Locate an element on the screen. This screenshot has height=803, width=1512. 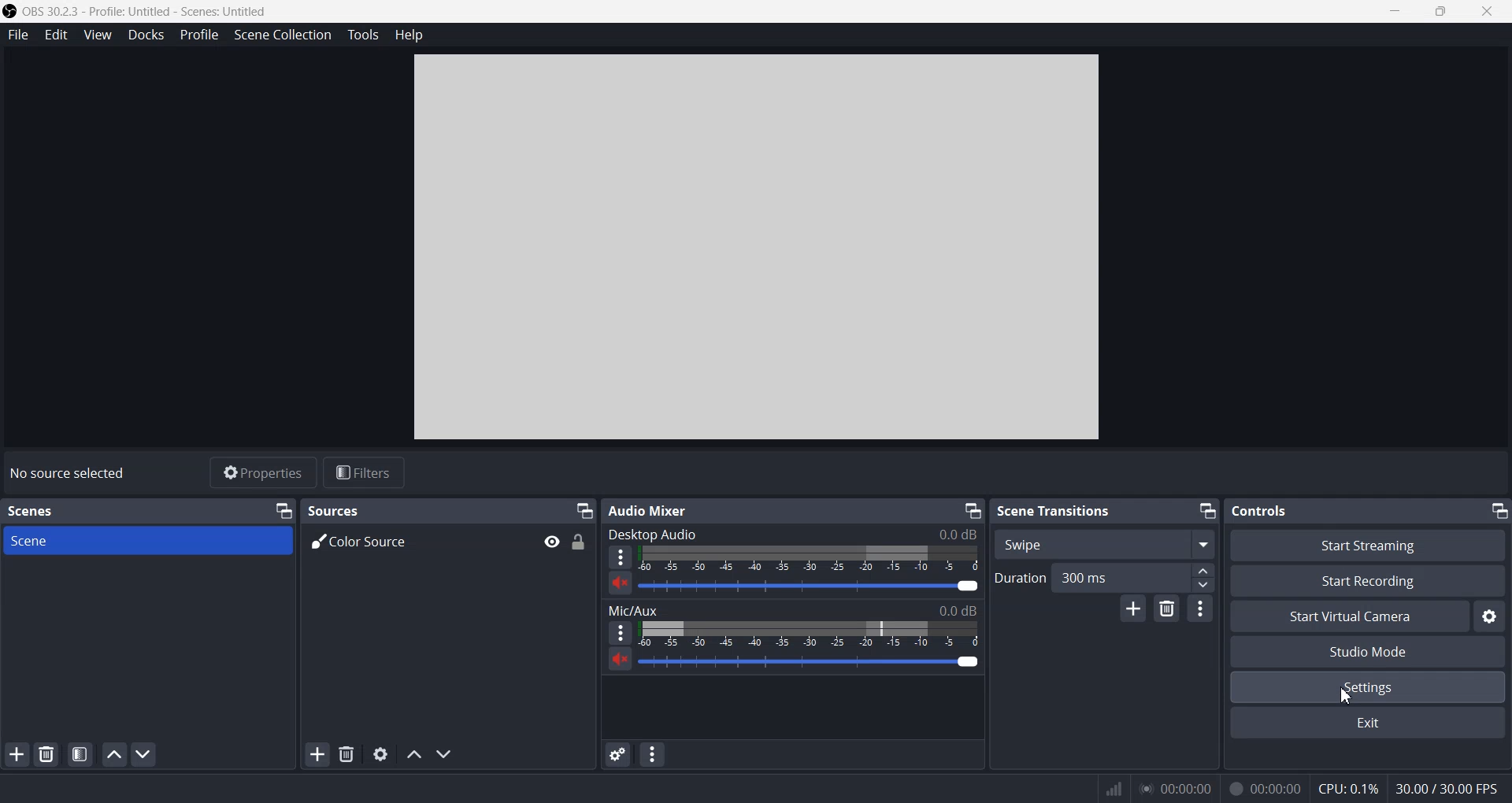
Minimize is located at coordinates (1206, 510).